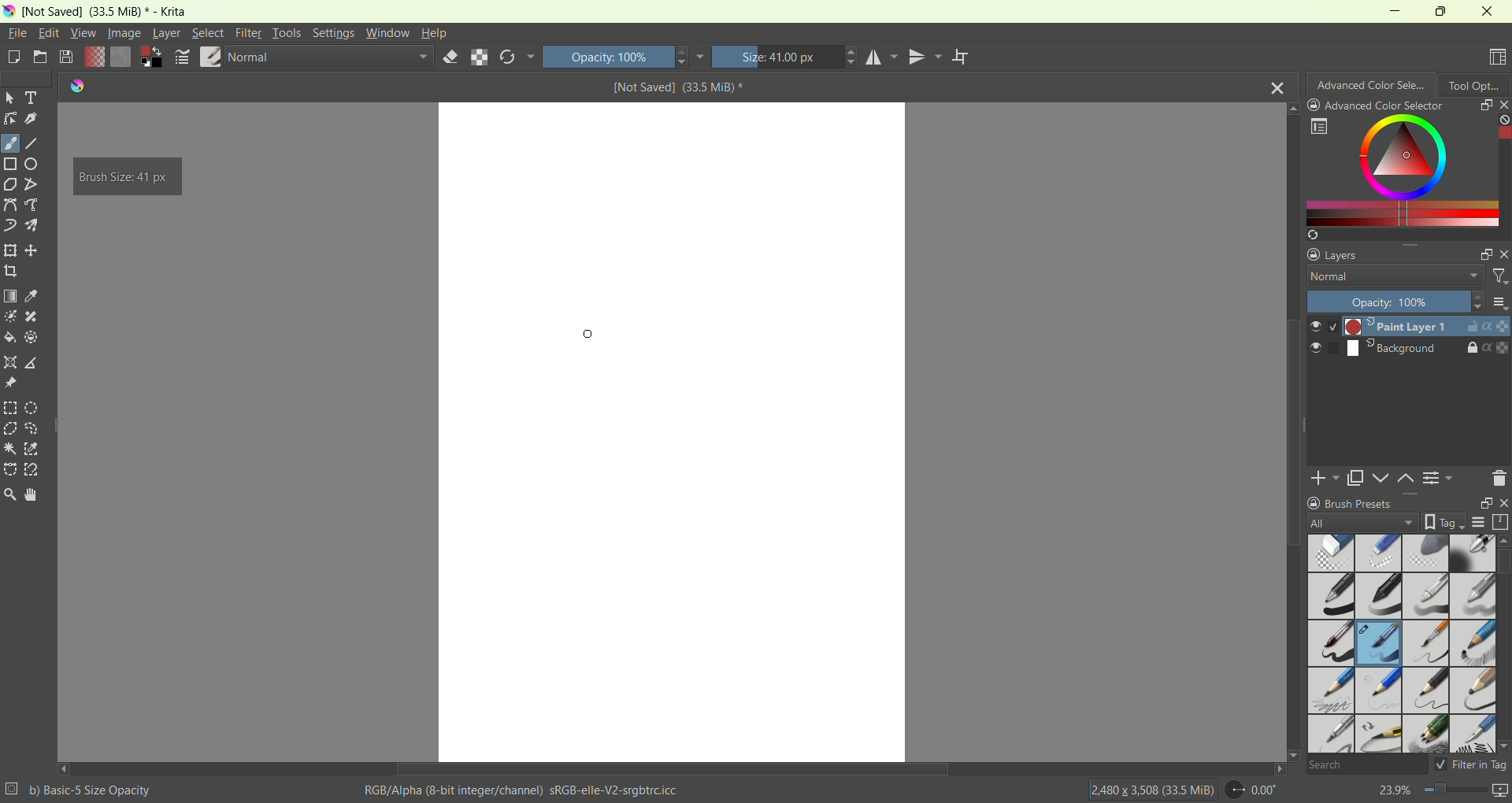 This screenshot has width=1512, height=803. What do you see at coordinates (1372, 83) in the screenshot?
I see `advanced color selection` at bounding box center [1372, 83].